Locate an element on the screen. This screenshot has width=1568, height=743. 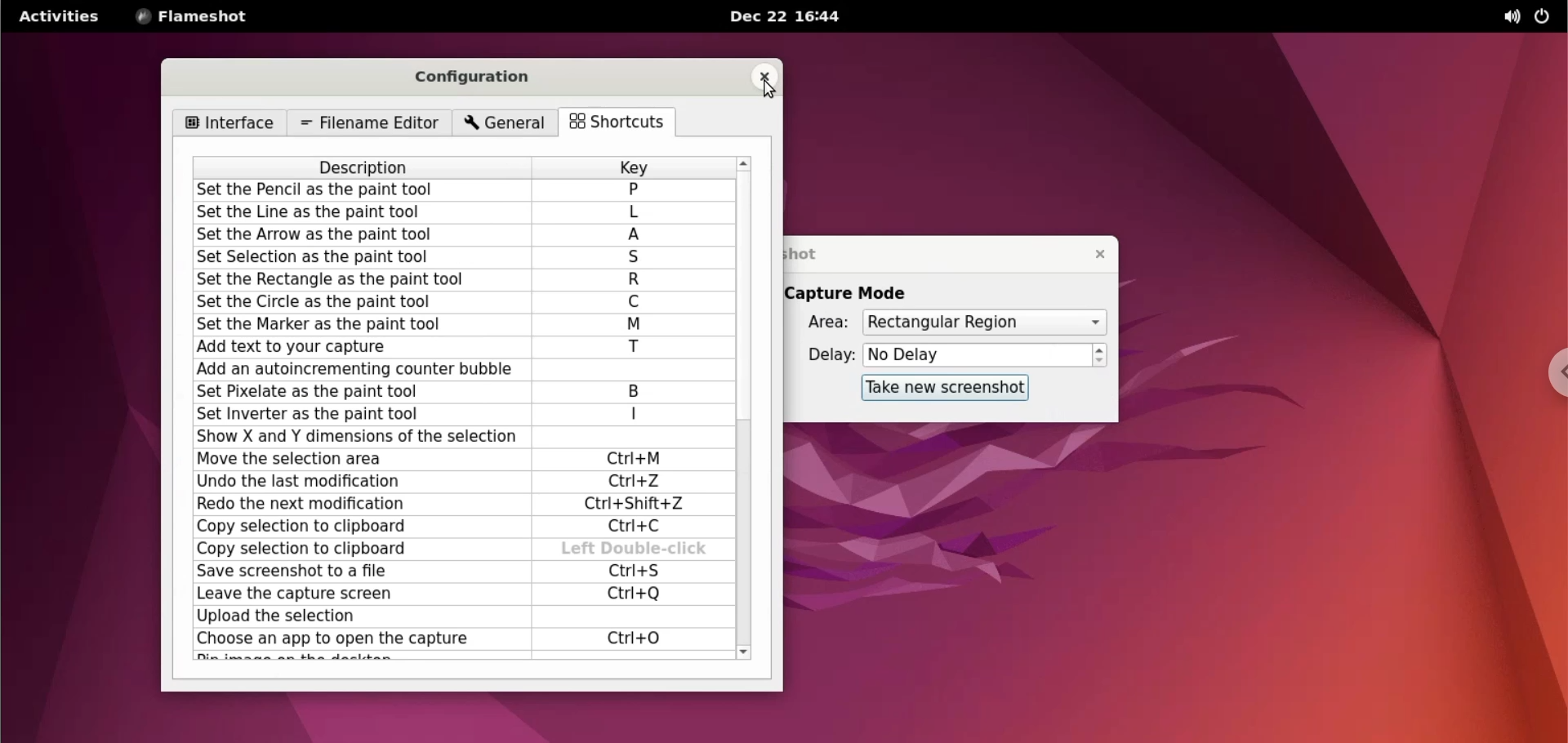
set the line as the paint tool is located at coordinates (365, 213).